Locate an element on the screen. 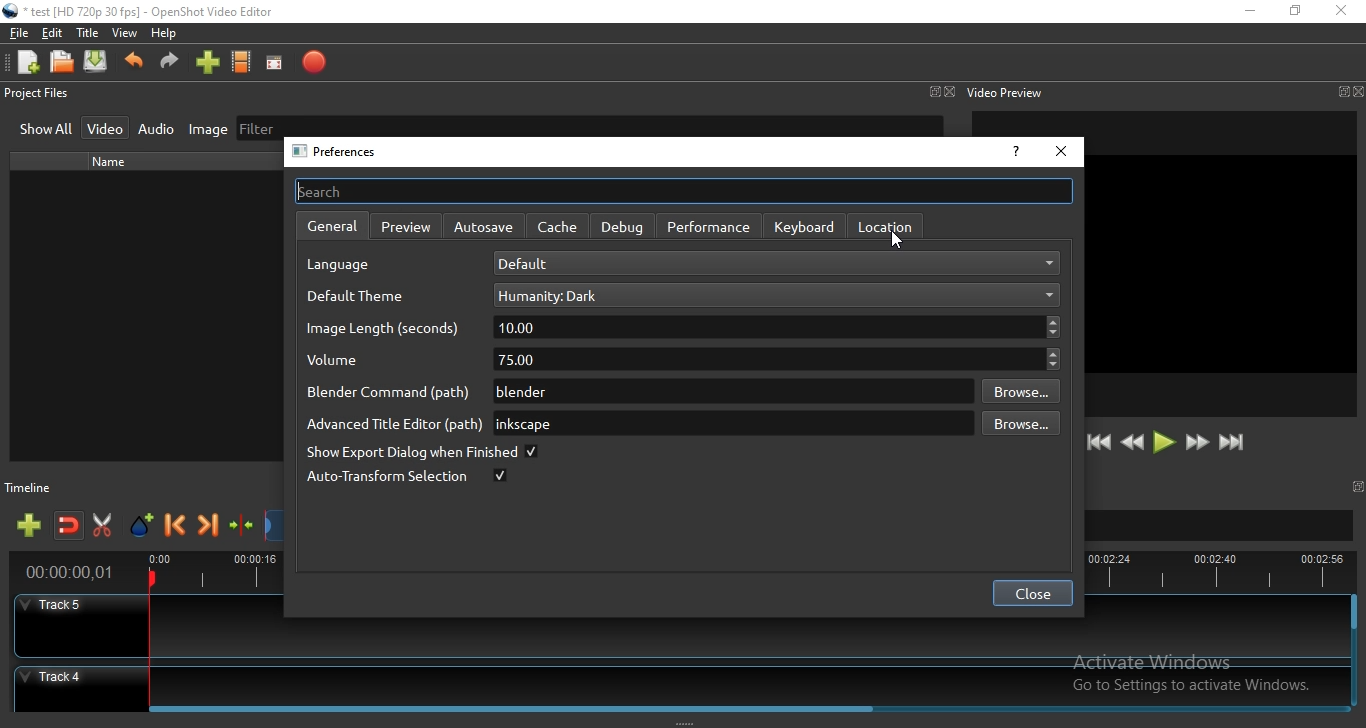  Project files is located at coordinates (37, 95).